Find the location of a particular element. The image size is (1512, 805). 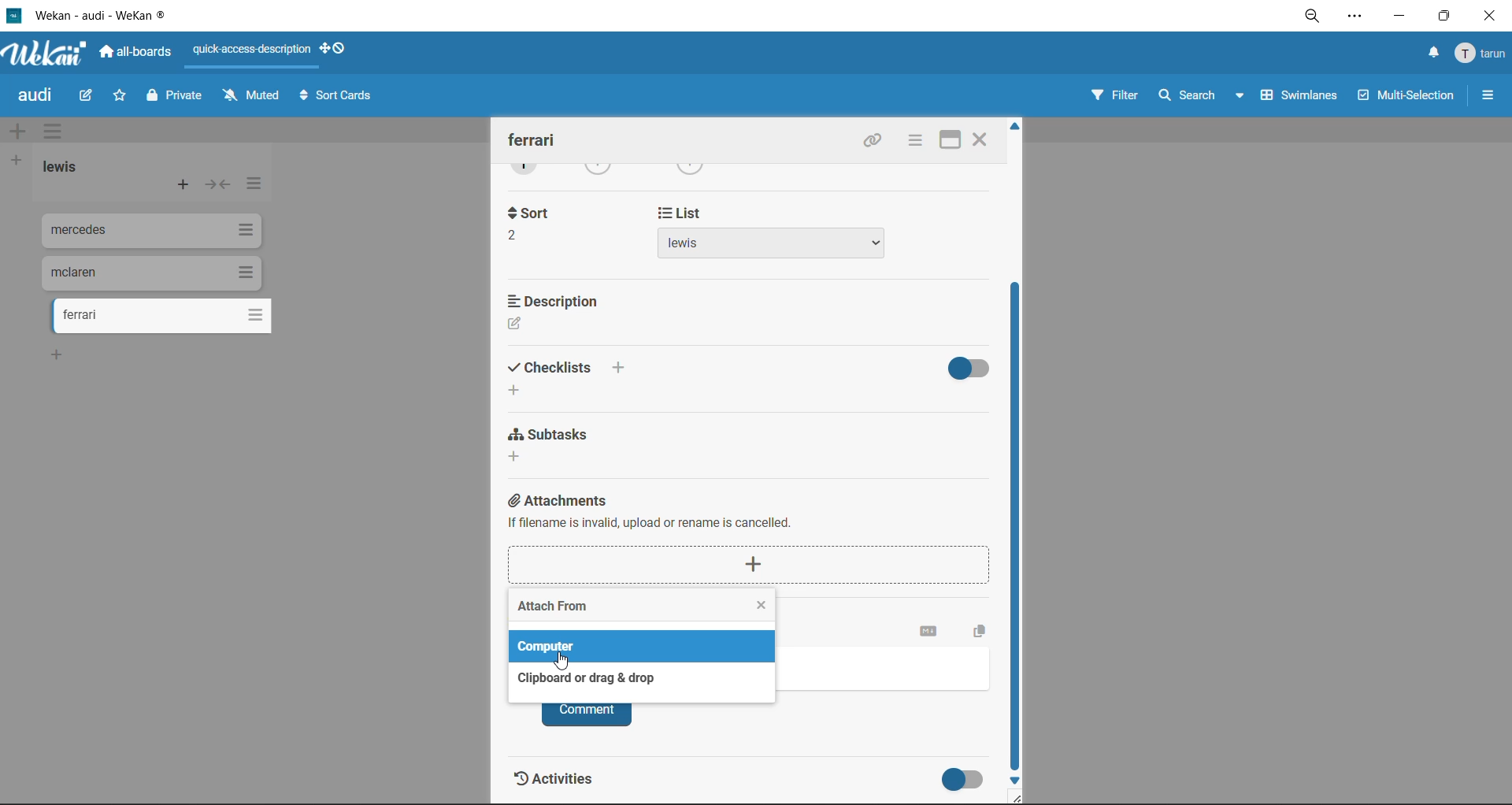

activities is located at coordinates (567, 783).